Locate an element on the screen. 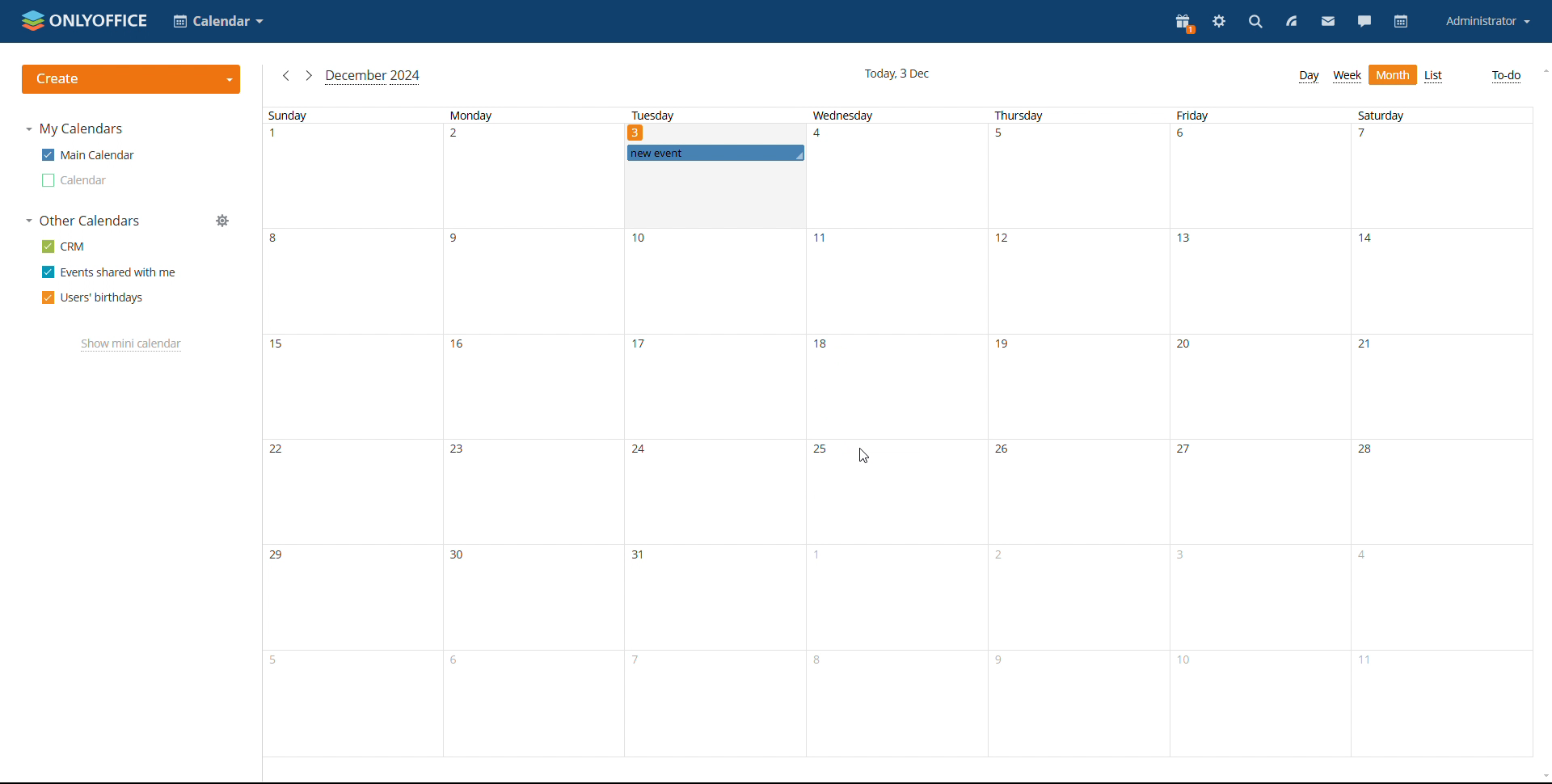 Image resolution: width=1552 pixels, height=784 pixels. calendar is located at coordinates (1401, 23).